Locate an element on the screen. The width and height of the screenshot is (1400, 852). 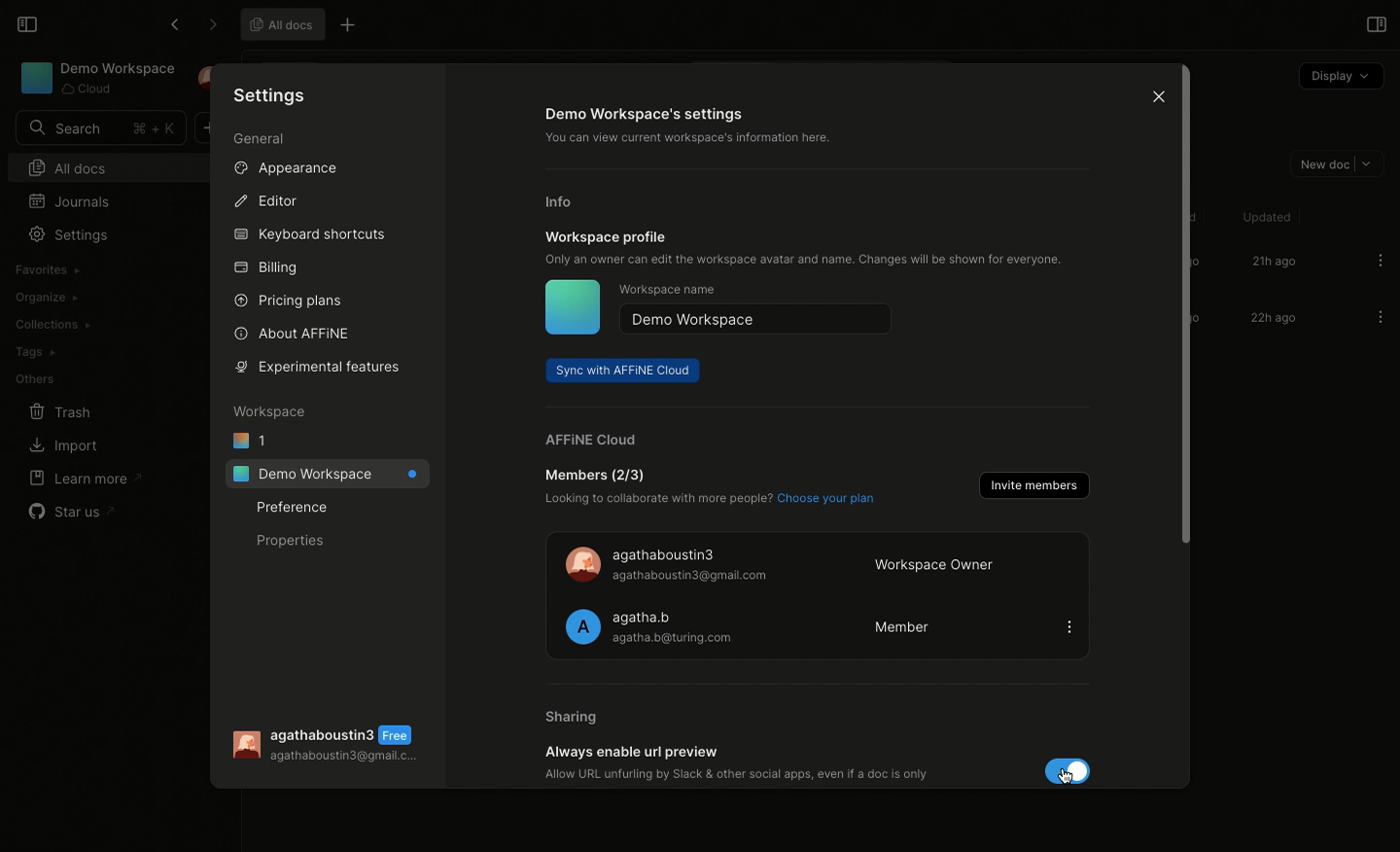
Demo workspace is located at coordinates (327, 474).